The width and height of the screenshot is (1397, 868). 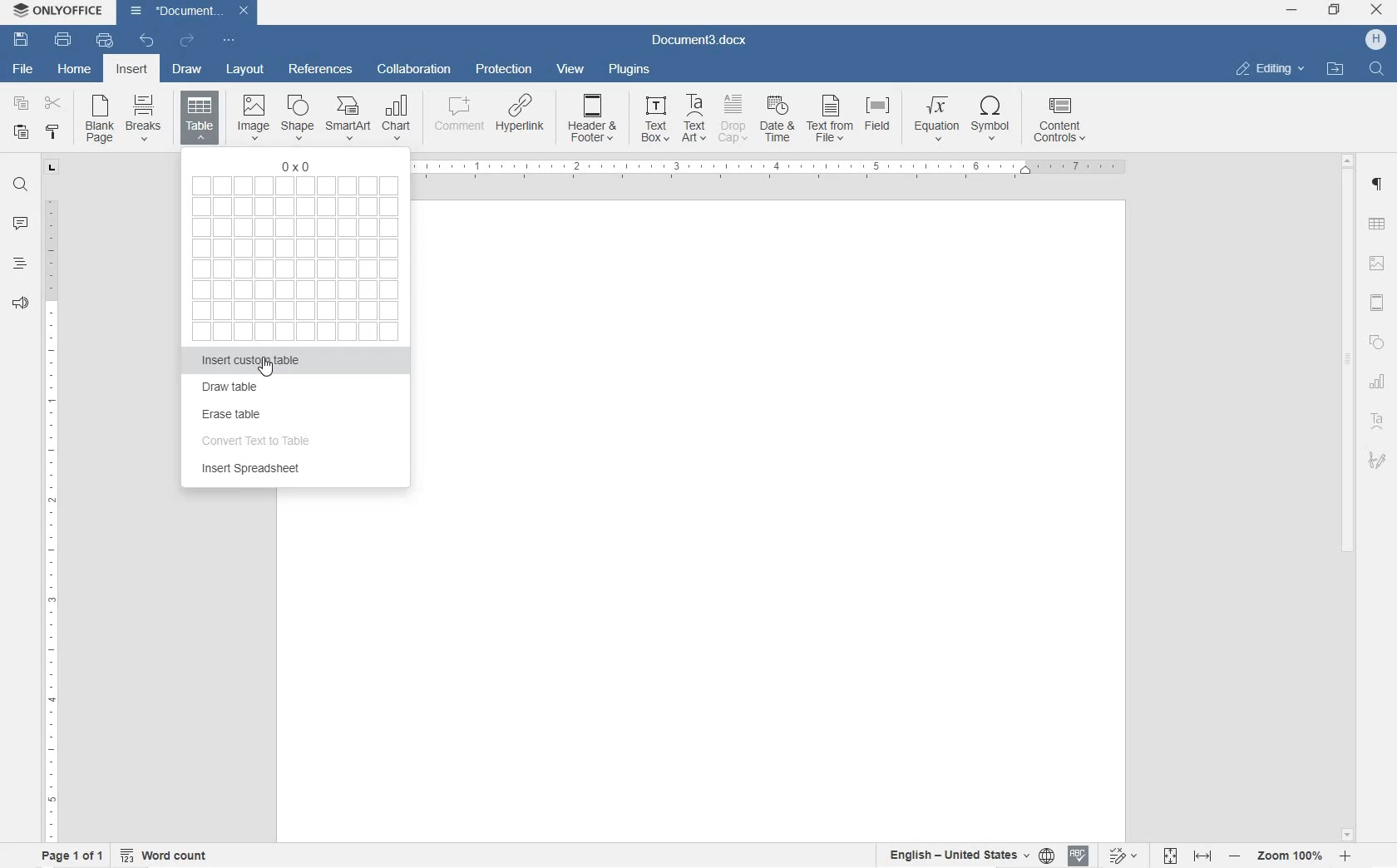 I want to click on insert spreadsheet, so click(x=262, y=470).